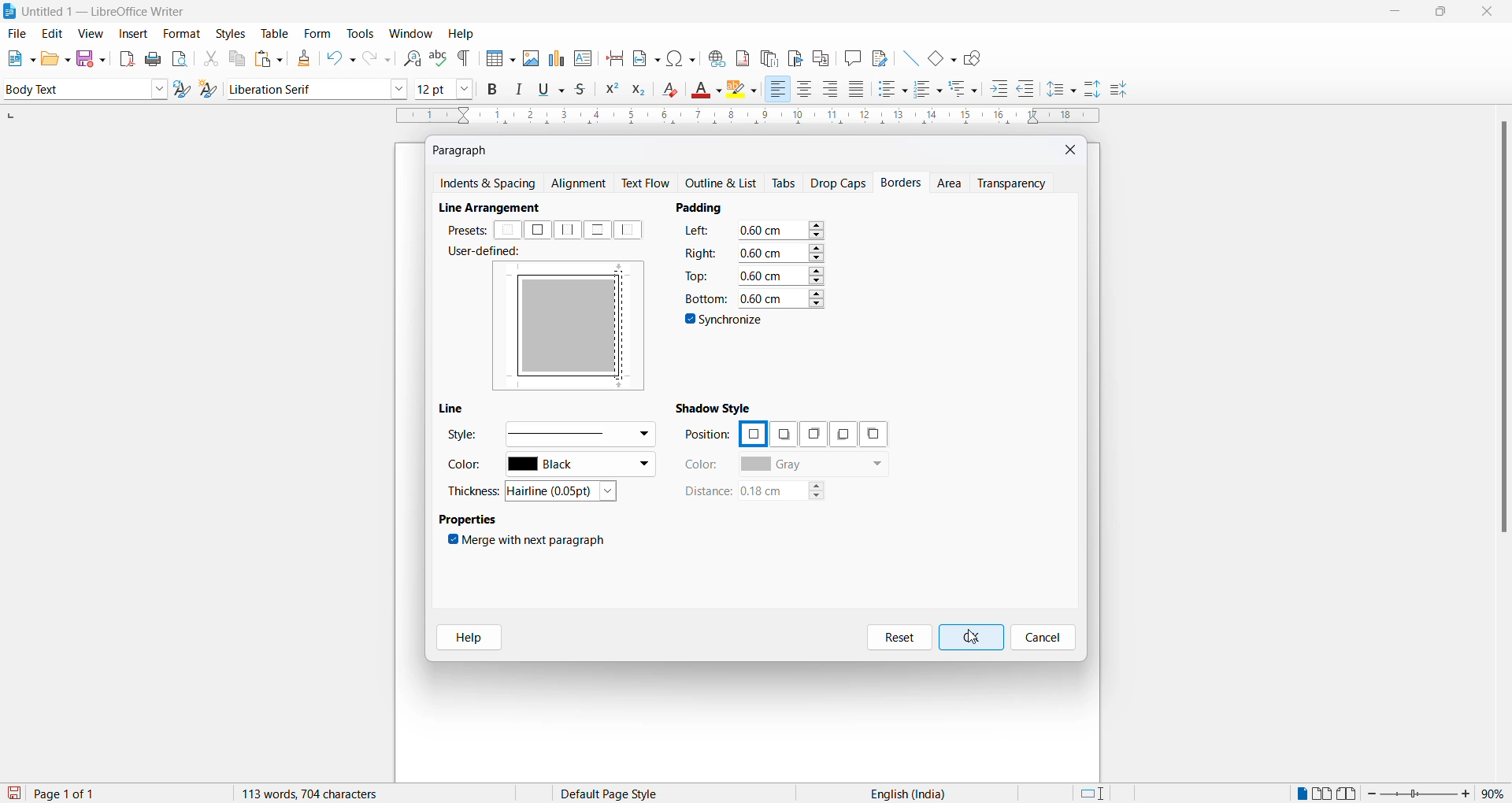 Image resolution: width=1512 pixels, height=803 pixels. I want to click on increase indent, so click(1004, 90).